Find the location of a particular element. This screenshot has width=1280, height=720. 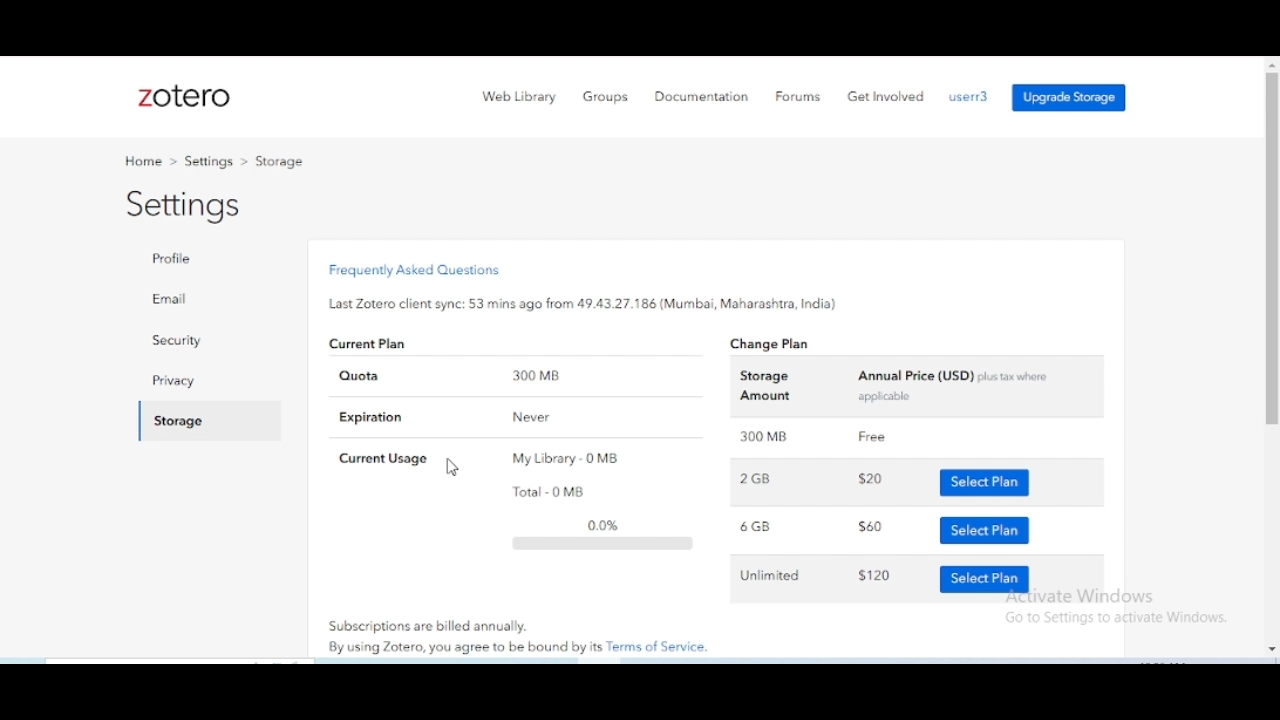

zotero is located at coordinates (182, 97).